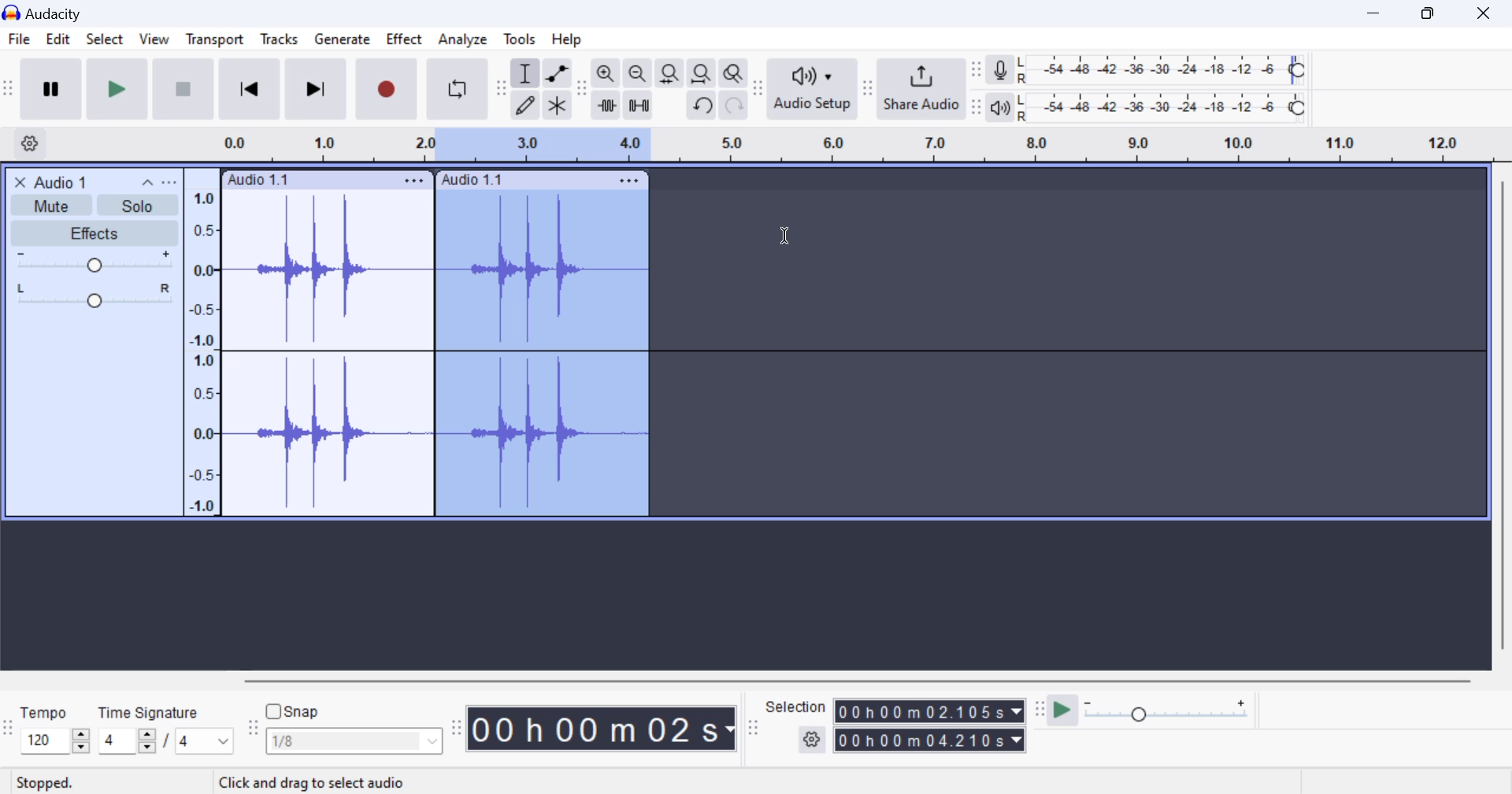 The image size is (1512, 794). I want to click on Effect, so click(405, 42).